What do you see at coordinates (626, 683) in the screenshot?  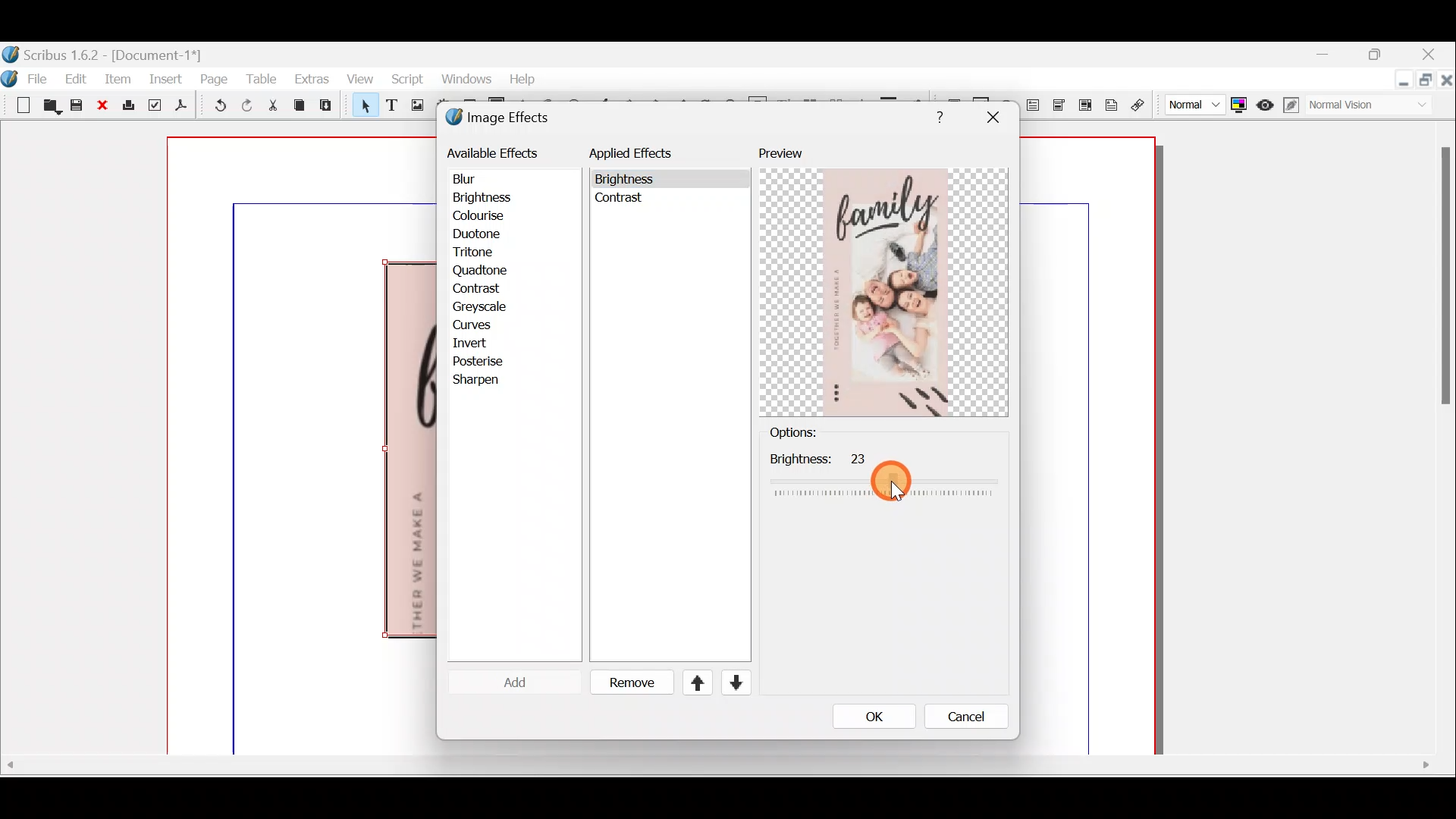 I see `Remove` at bounding box center [626, 683].